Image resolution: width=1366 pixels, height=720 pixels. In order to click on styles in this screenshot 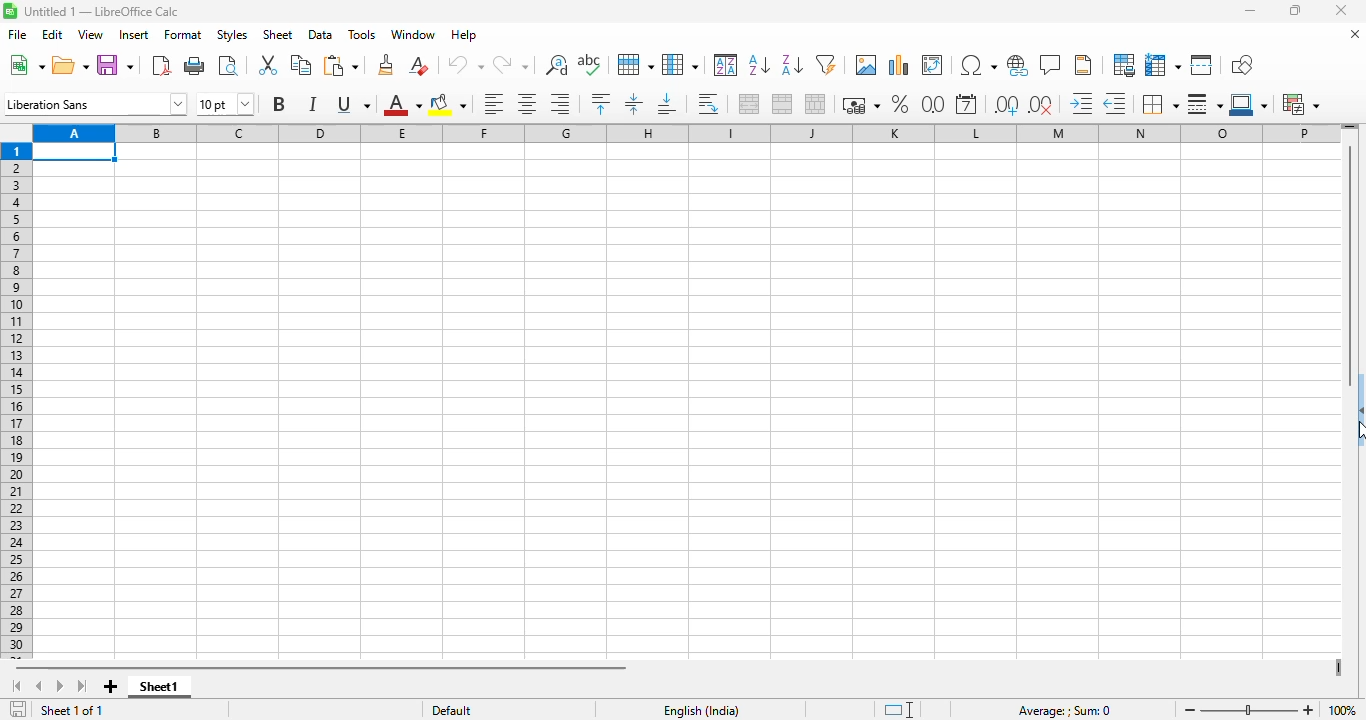, I will do `click(231, 35)`.